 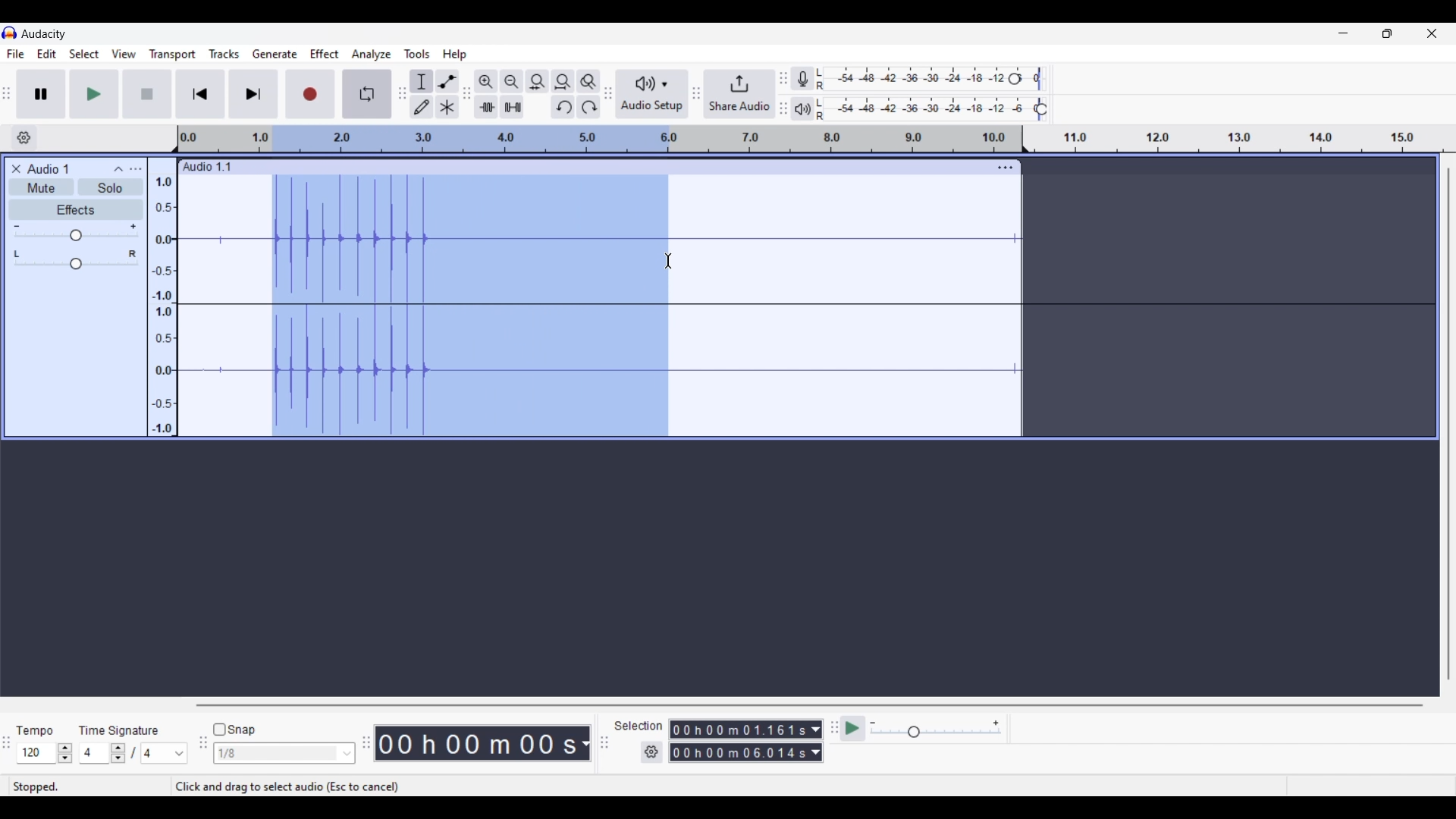 I want to click on Recording level, so click(x=914, y=79).